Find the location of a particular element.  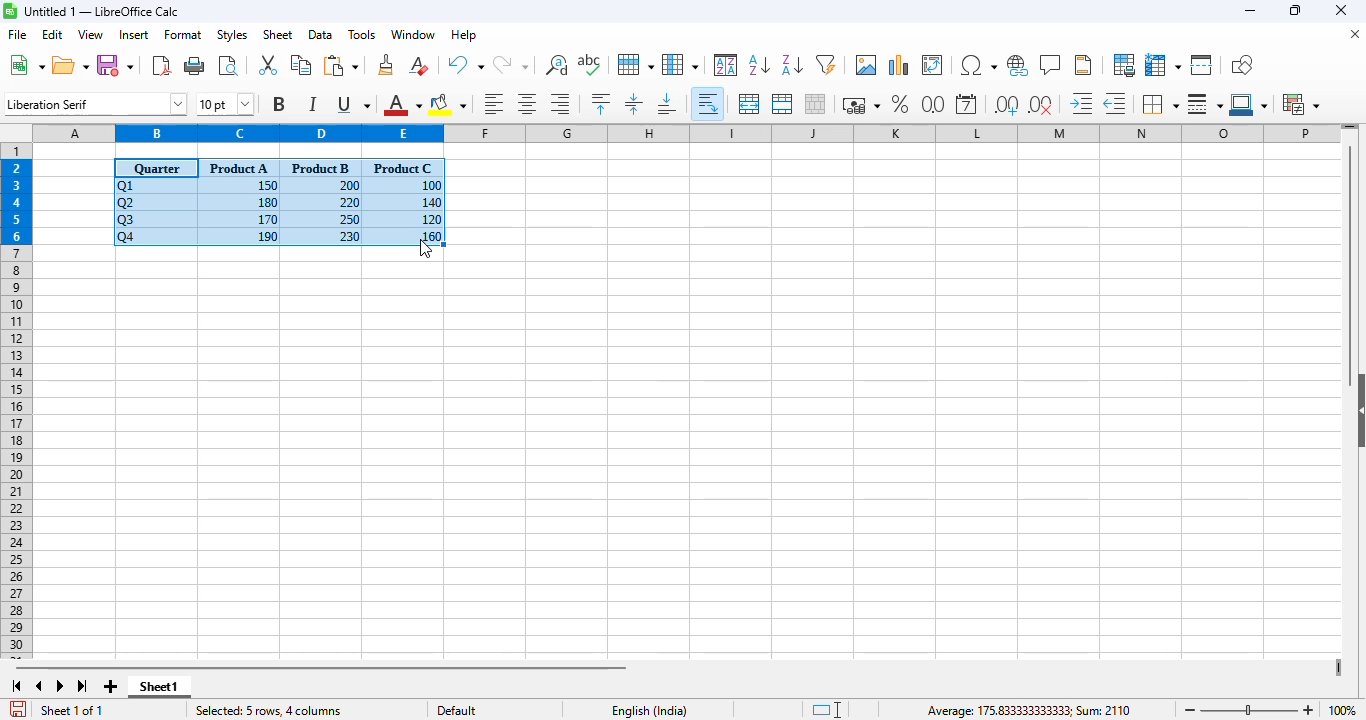

sort descending is located at coordinates (793, 65).